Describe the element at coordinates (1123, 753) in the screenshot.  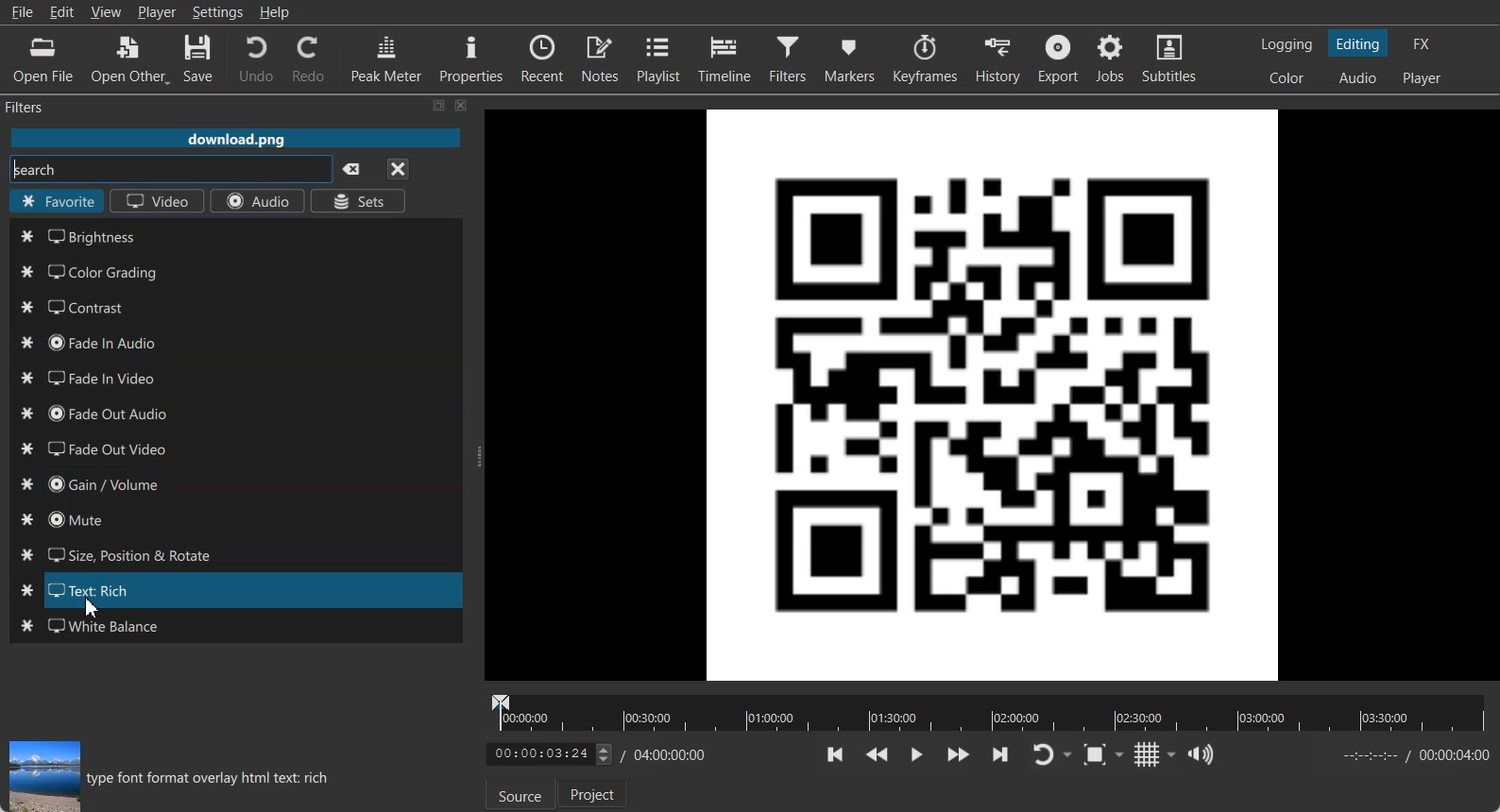
I see `Drop down box` at that location.